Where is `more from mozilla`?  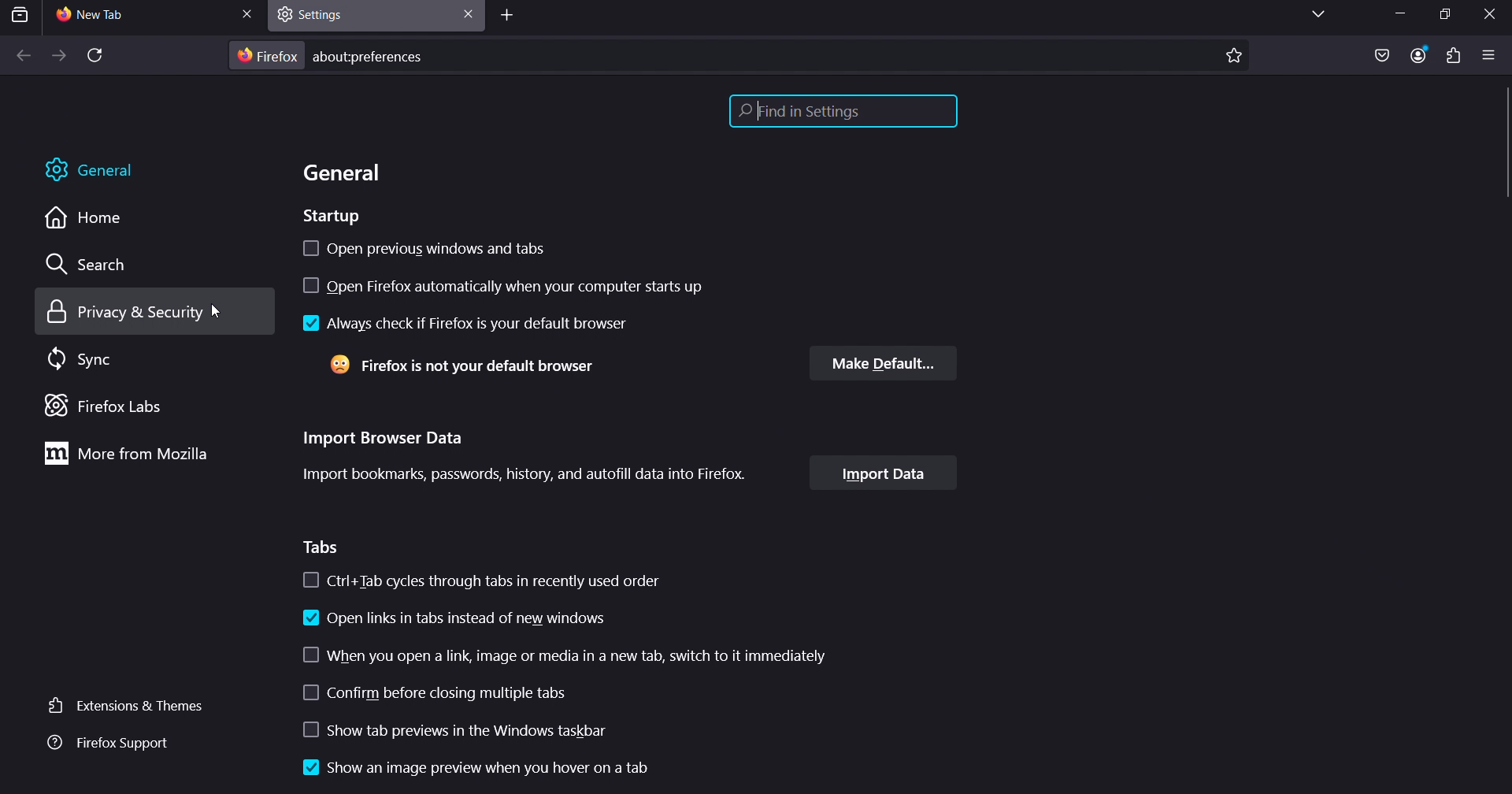 more from mozilla is located at coordinates (131, 455).